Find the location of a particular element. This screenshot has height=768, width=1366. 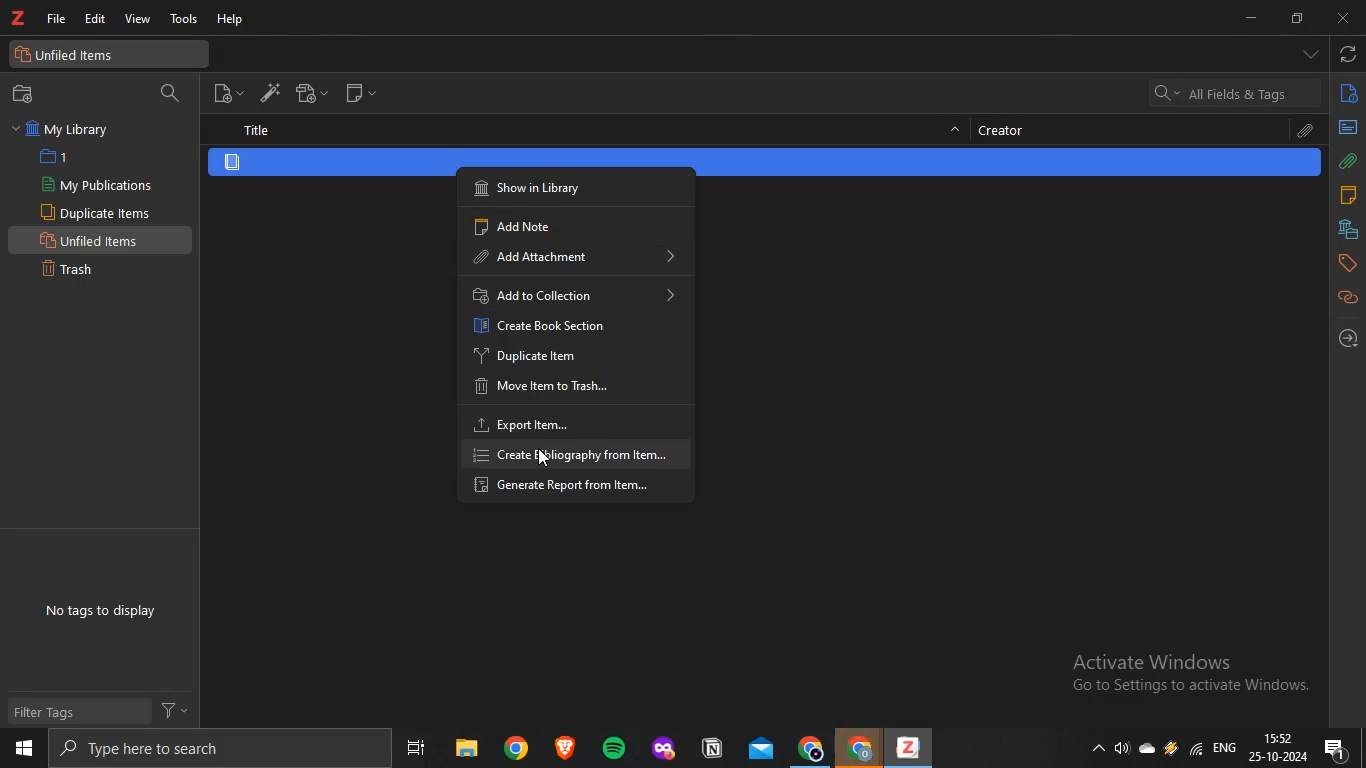

Active windows is located at coordinates (1190, 677).